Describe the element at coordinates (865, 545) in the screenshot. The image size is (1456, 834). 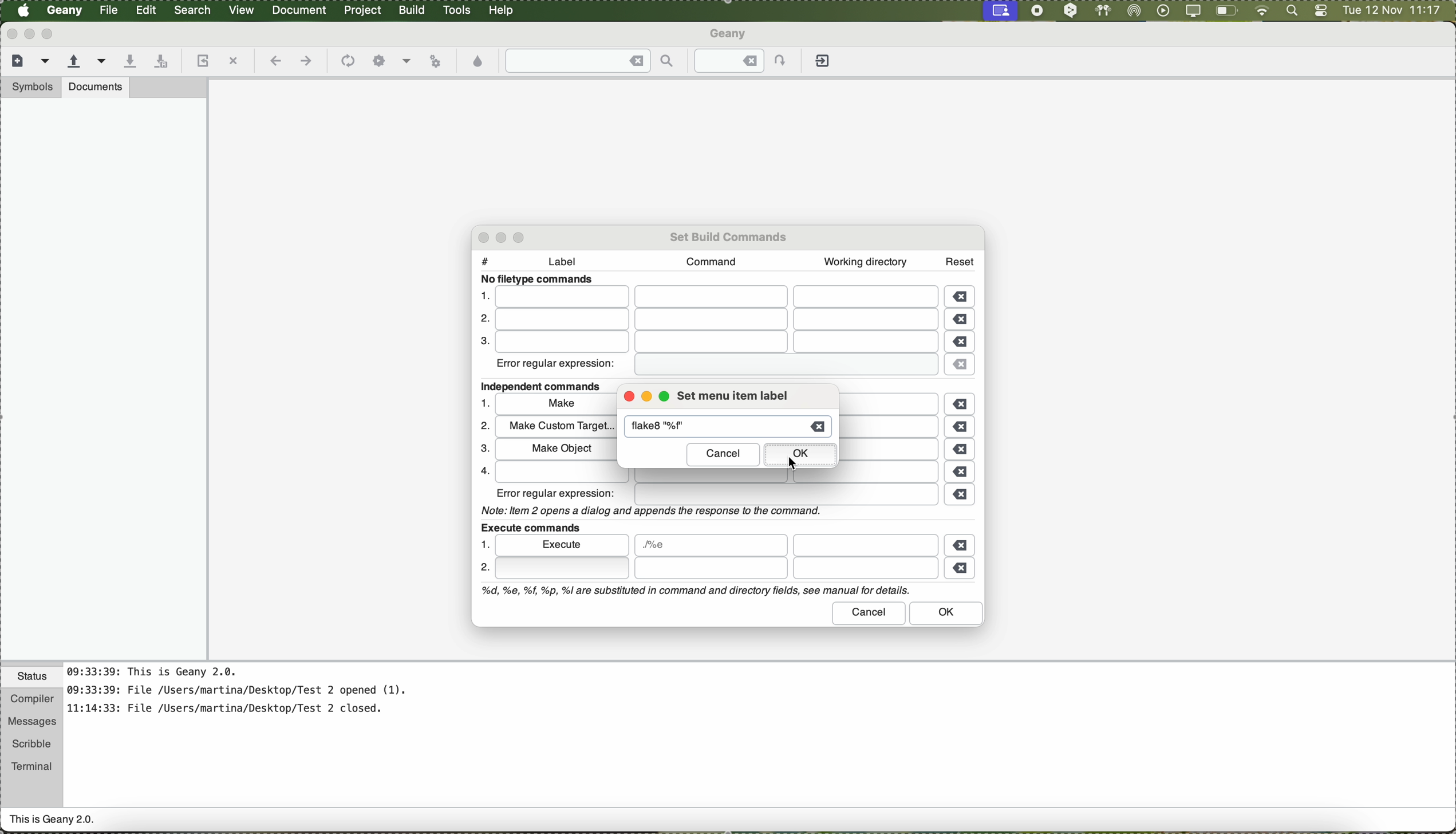
I see `file` at that location.